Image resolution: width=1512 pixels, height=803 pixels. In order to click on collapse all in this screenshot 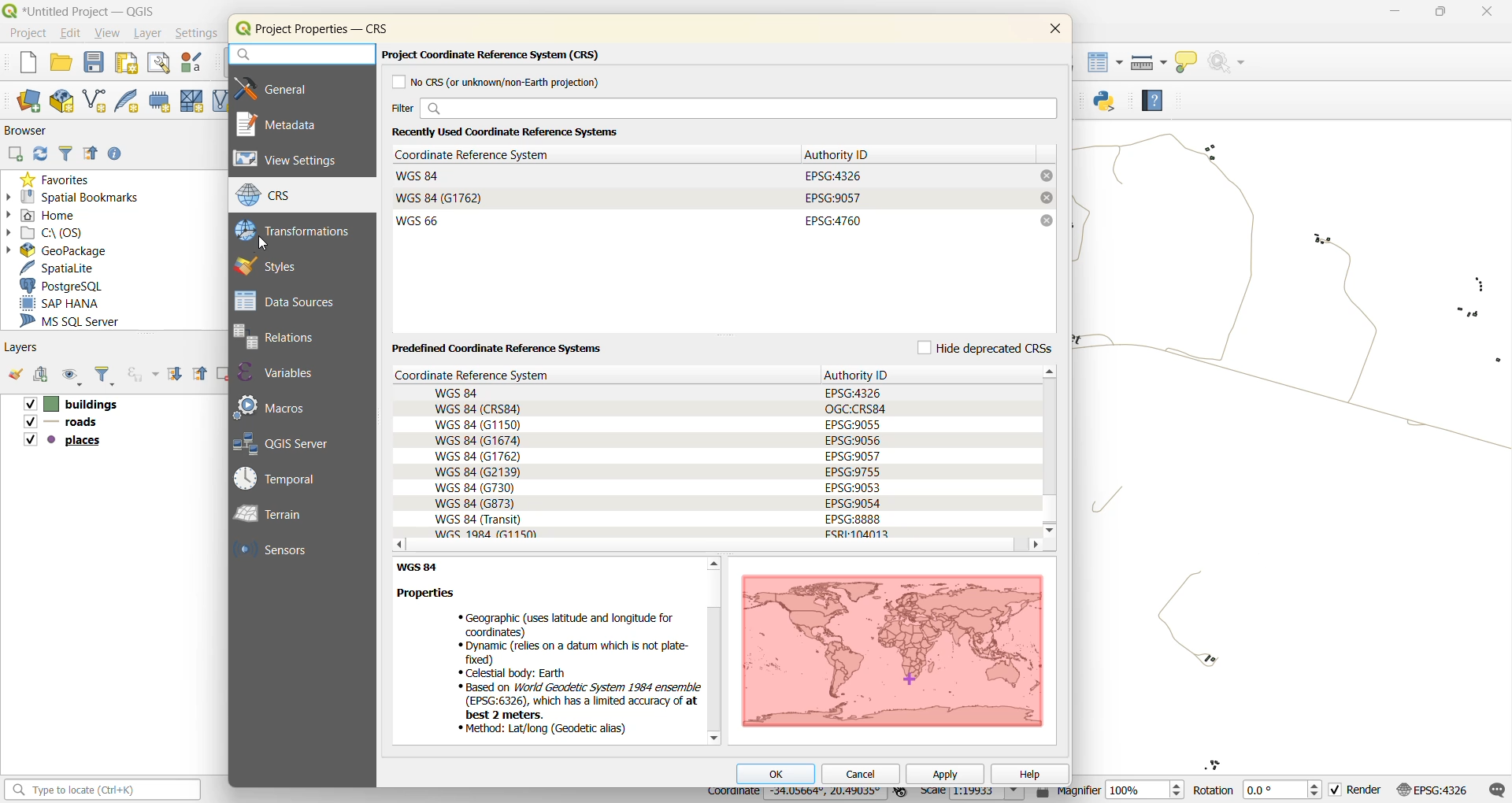, I will do `click(200, 375)`.